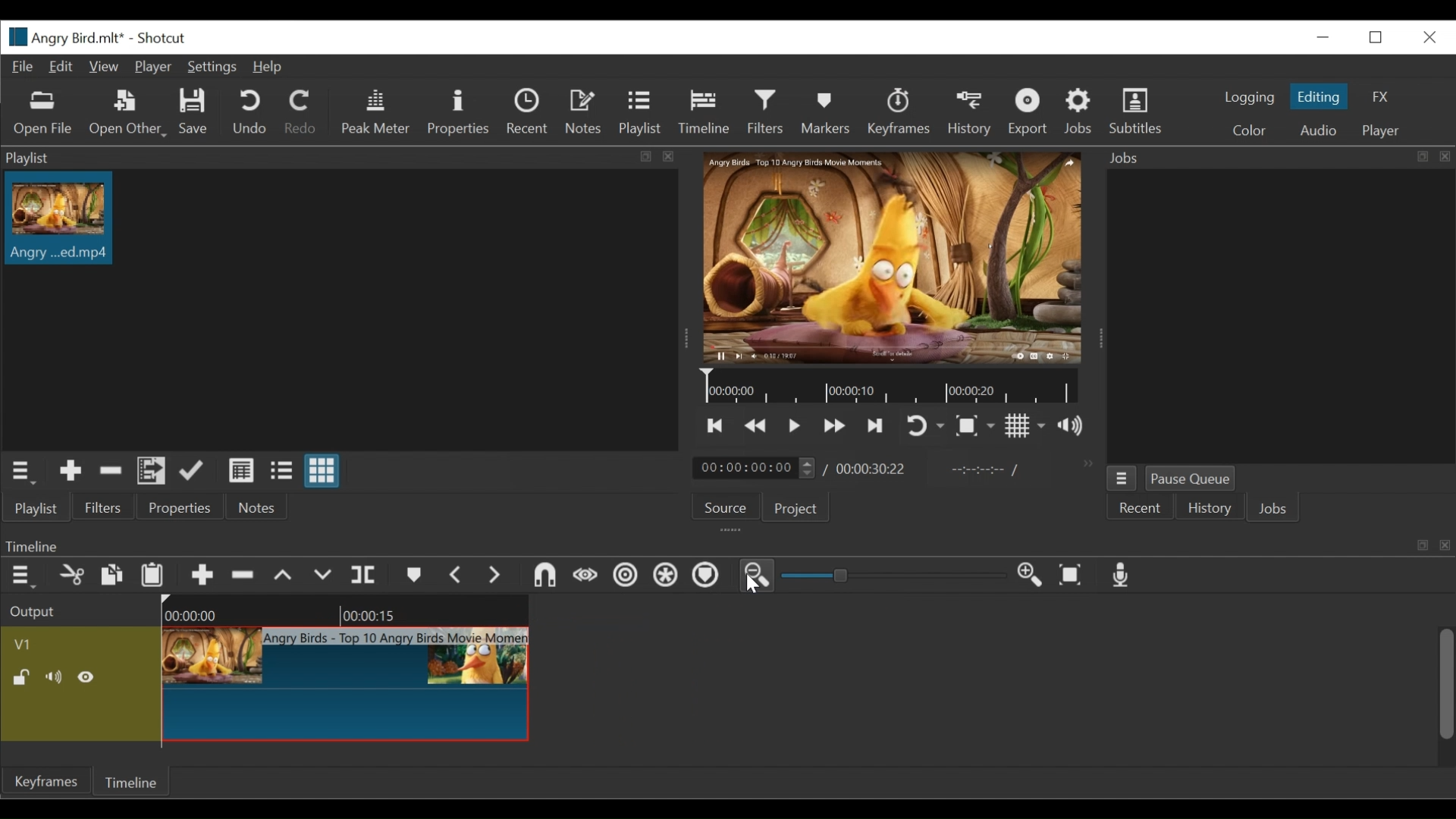  Describe the element at coordinates (1377, 39) in the screenshot. I see `Restore` at that location.